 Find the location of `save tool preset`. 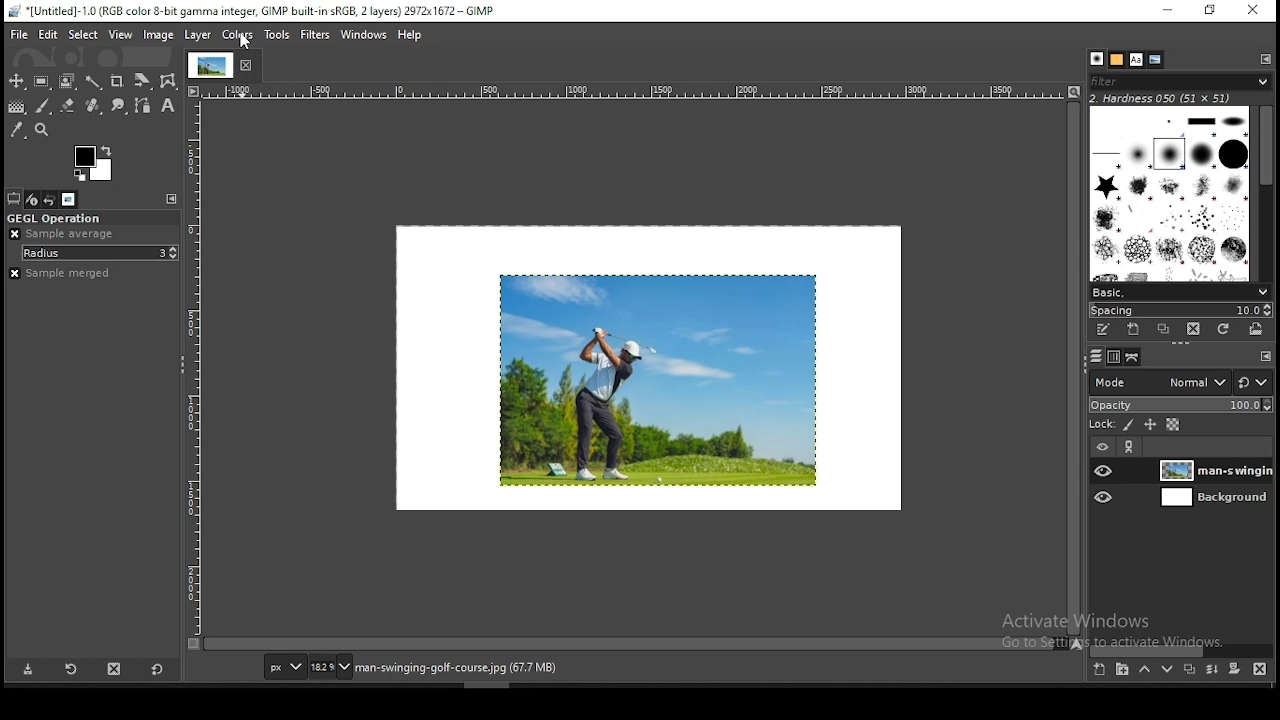

save tool preset is located at coordinates (32, 669).